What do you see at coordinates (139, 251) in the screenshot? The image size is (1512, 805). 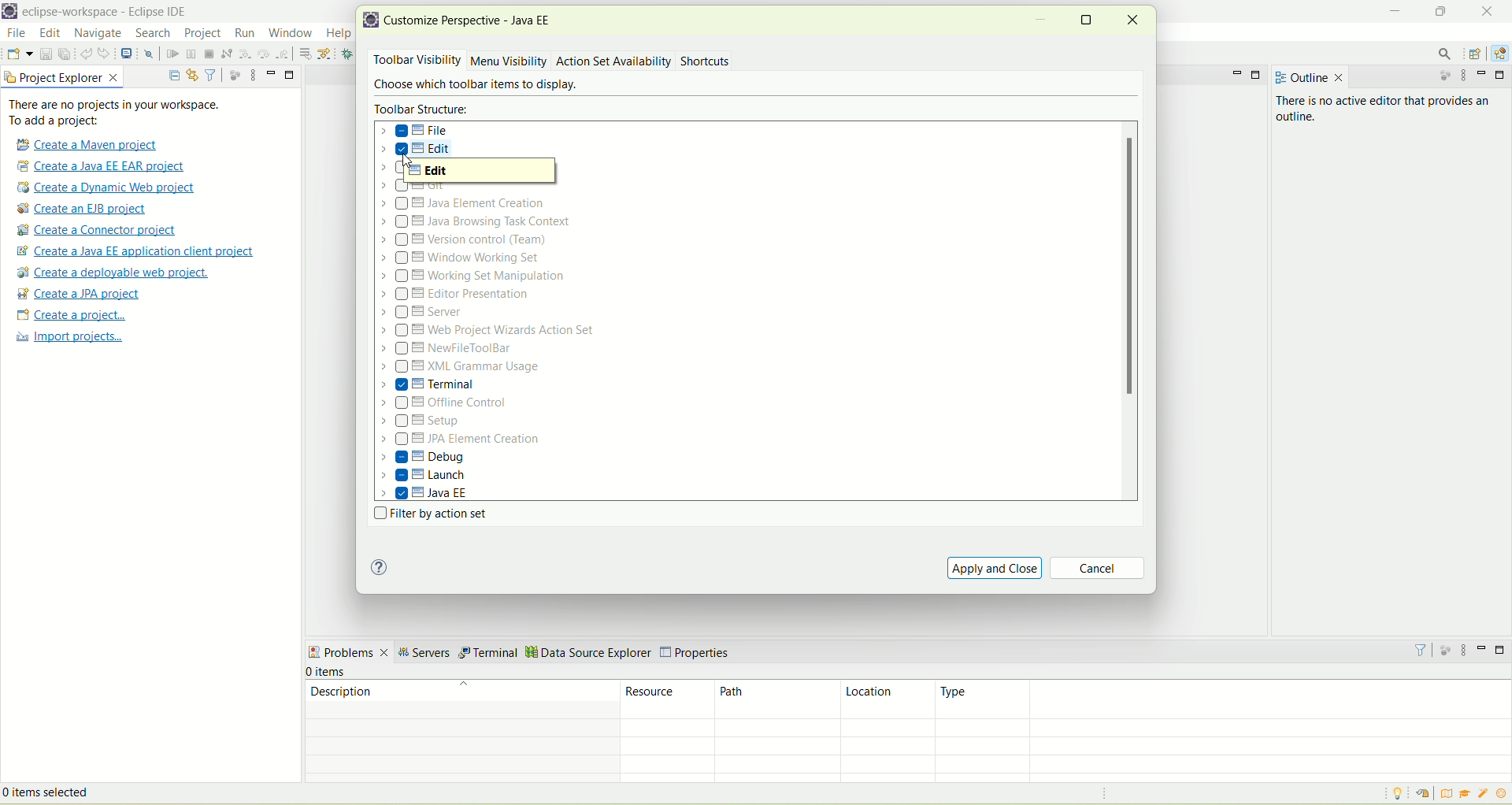 I see `Create a Java EE application client proje t` at bounding box center [139, 251].